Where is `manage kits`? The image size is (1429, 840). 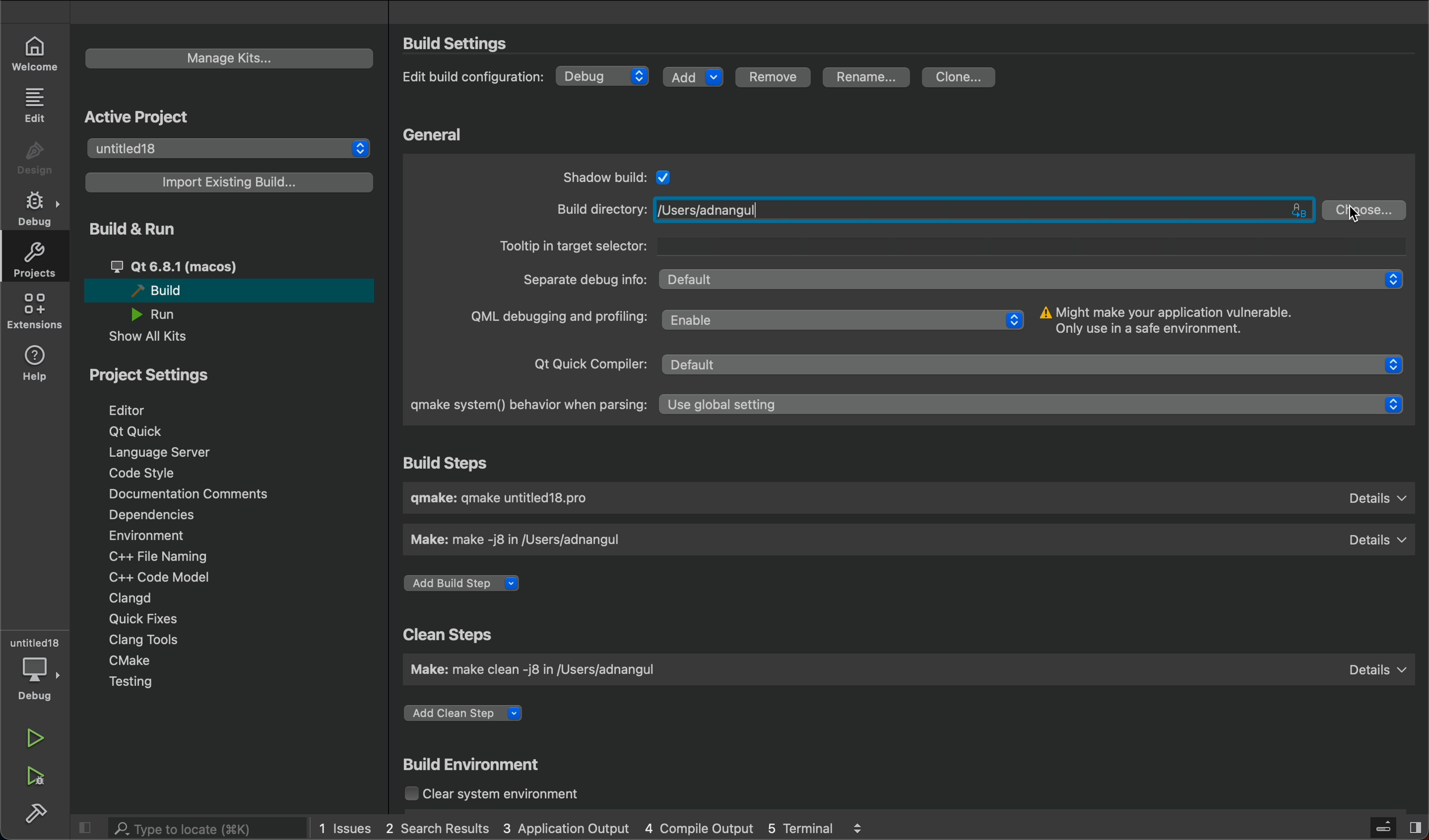 manage kits is located at coordinates (231, 58).